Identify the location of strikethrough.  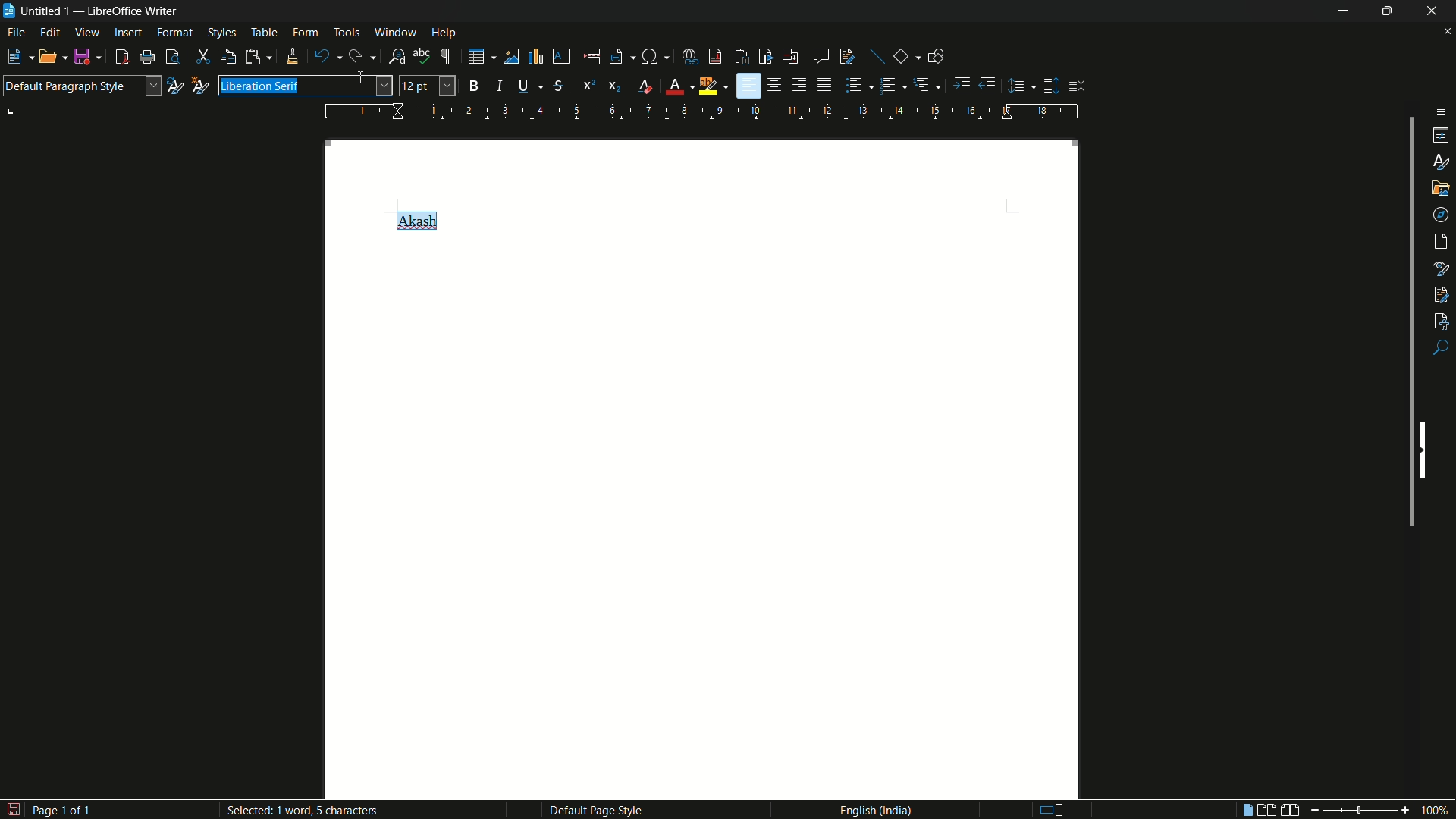
(557, 86).